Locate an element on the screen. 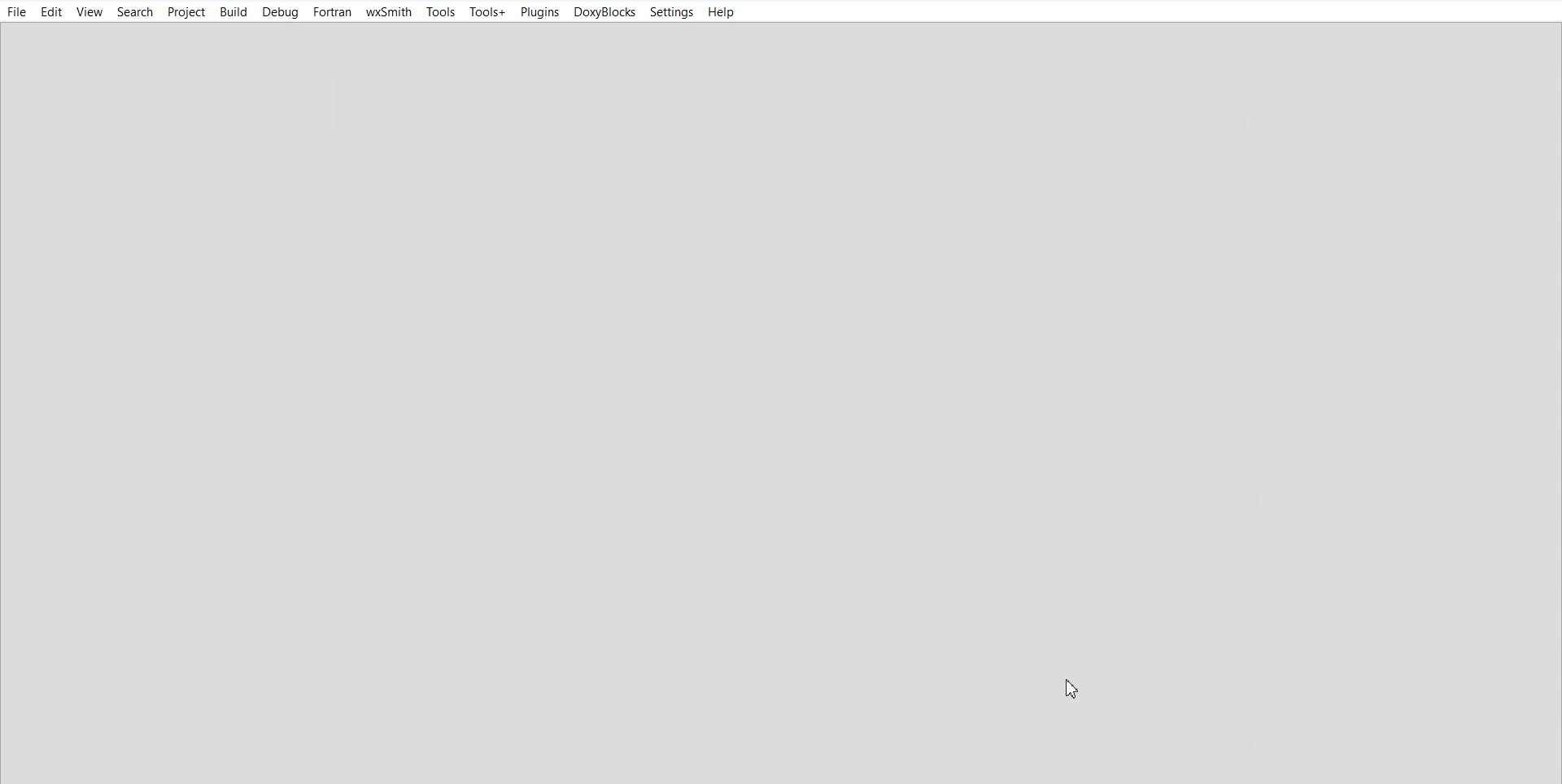 This screenshot has width=1562, height=784. Setting is located at coordinates (671, 12).